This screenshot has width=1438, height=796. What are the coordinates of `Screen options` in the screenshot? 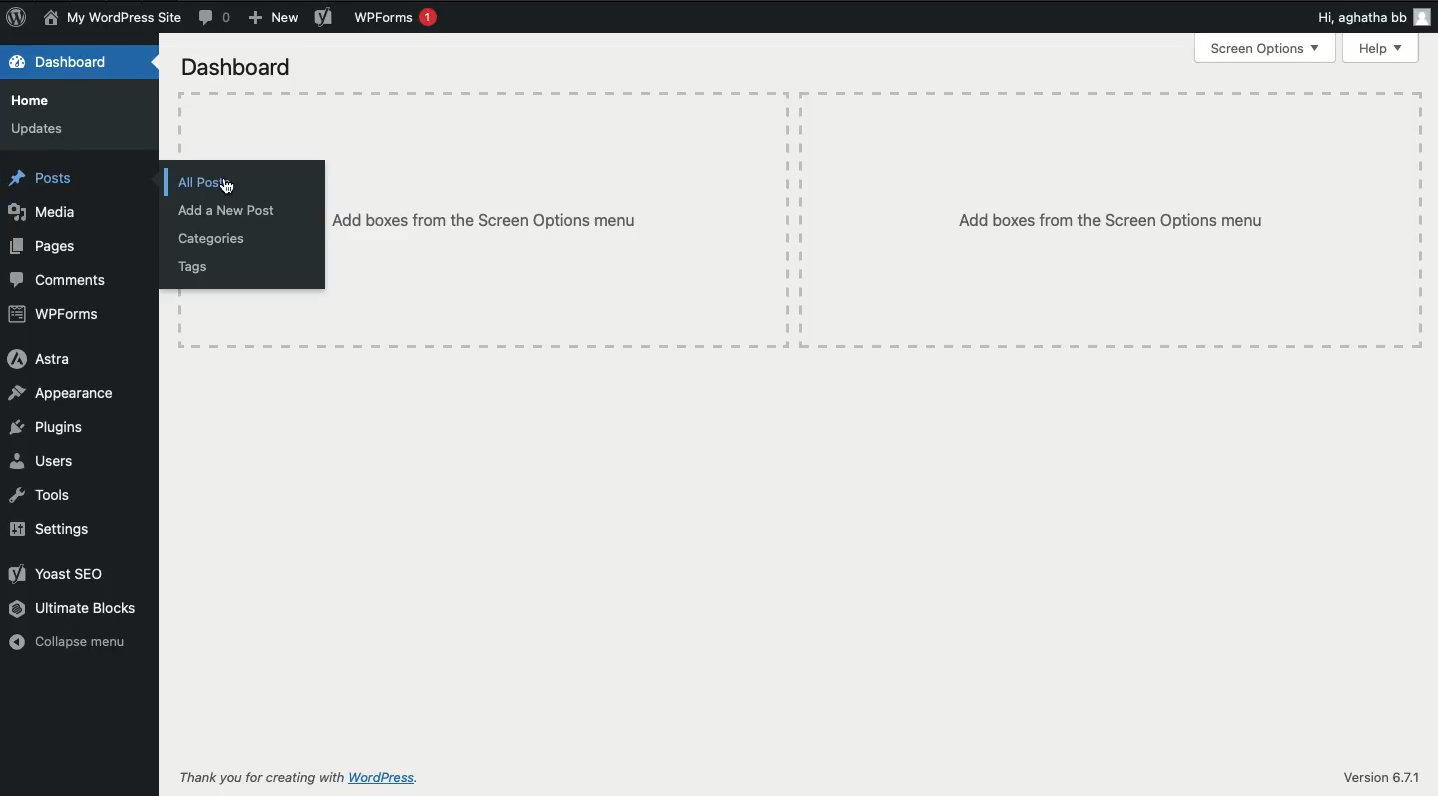 It's located at (1264, 49).